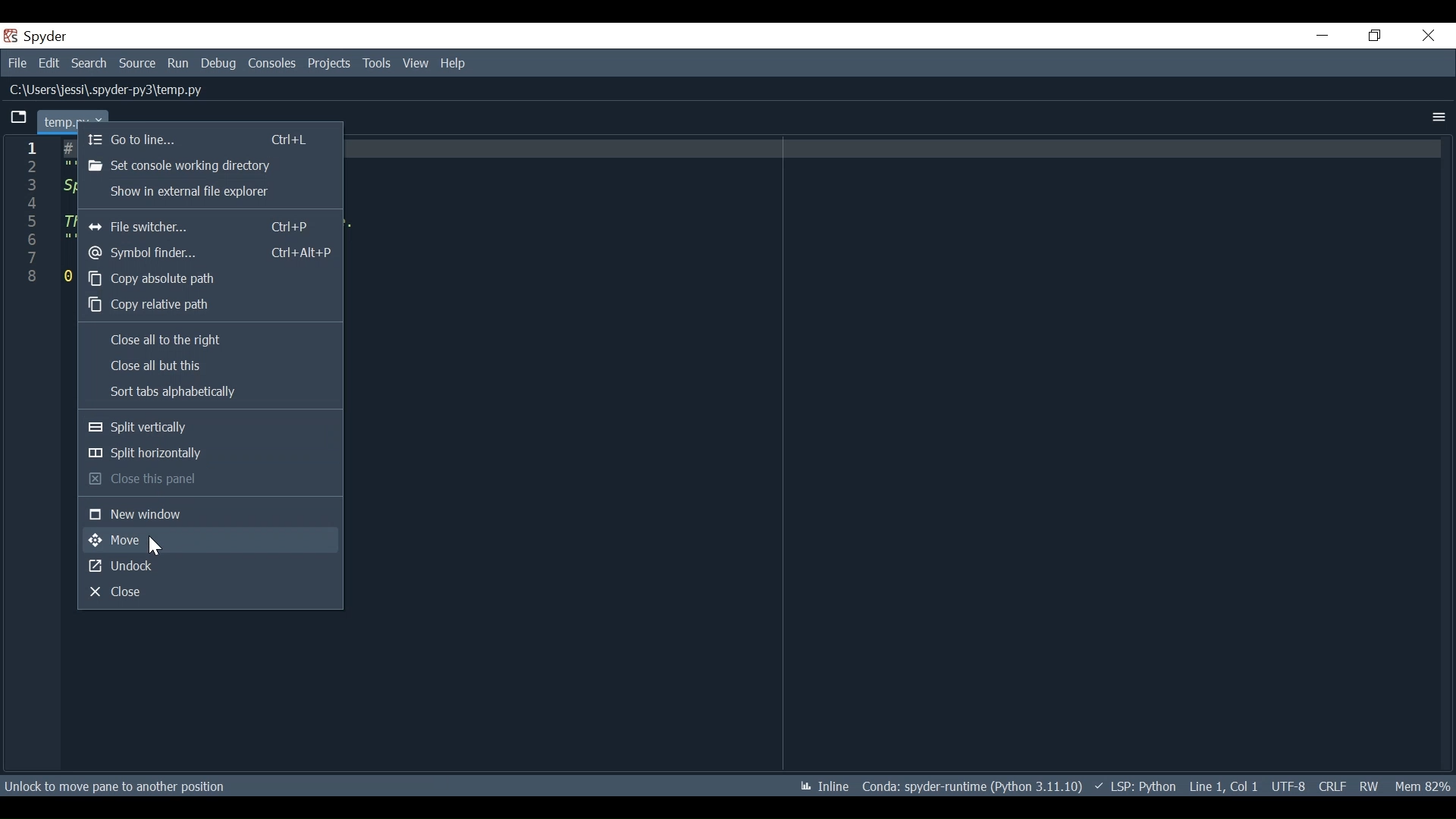 This screenshot has height=819, width=1456. What do you see at coordinates (376, 63) in the screenshot?
I see `Tools` at bounding box center [376, 63].